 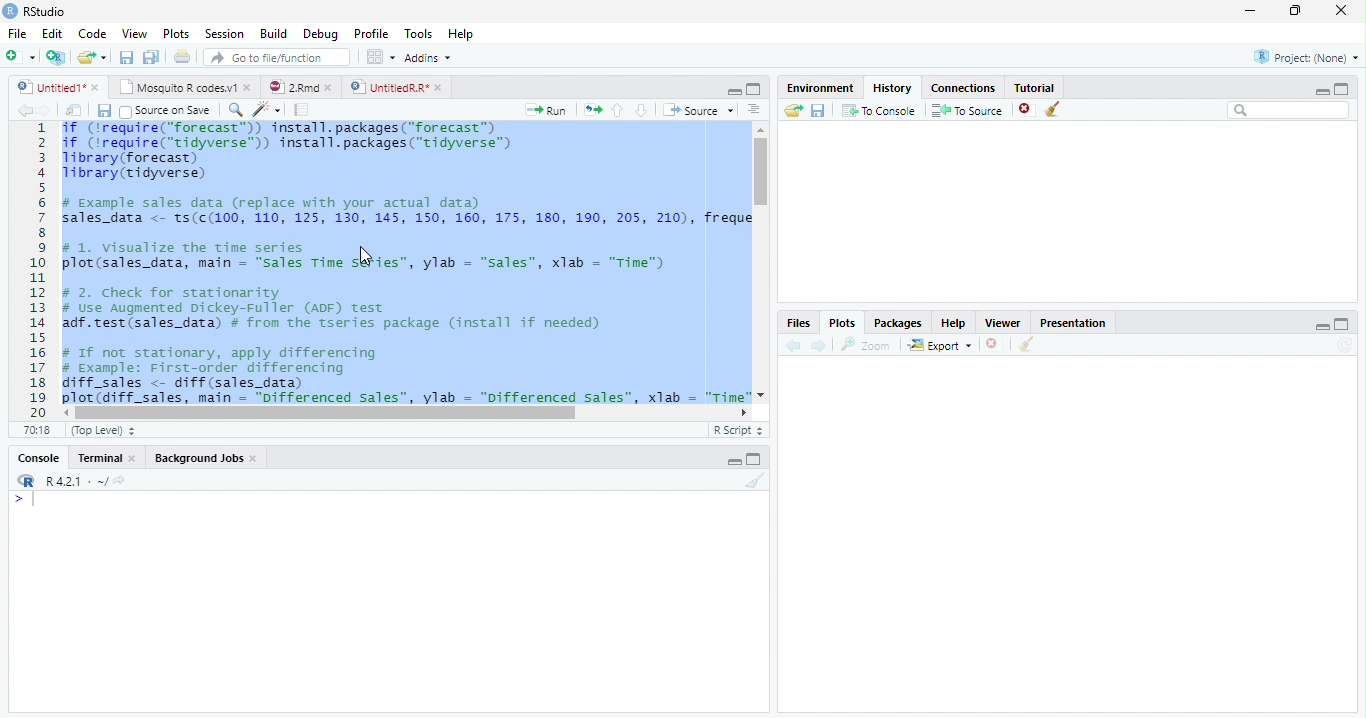 I want to click on Refresh, so click(x=1345, y=346).